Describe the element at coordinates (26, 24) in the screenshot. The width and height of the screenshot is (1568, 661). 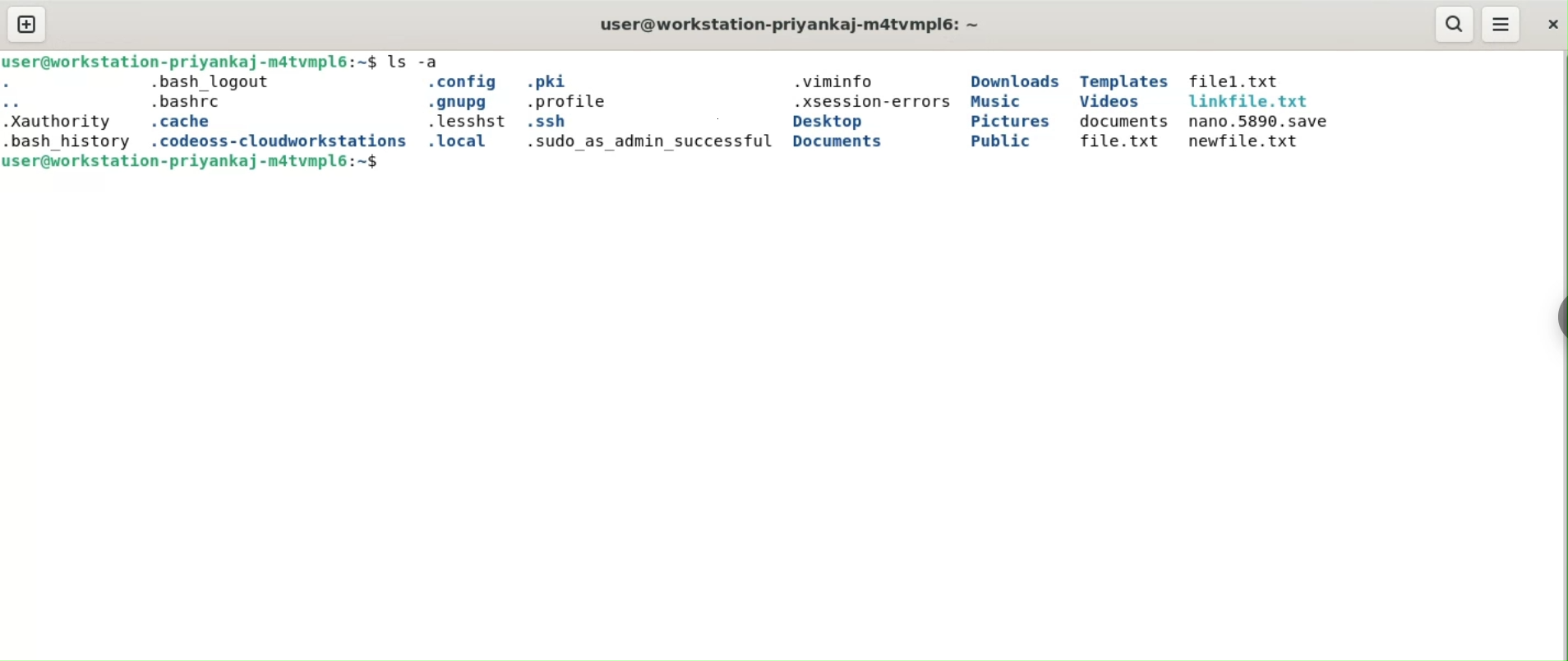
I see `new tab` at that location.